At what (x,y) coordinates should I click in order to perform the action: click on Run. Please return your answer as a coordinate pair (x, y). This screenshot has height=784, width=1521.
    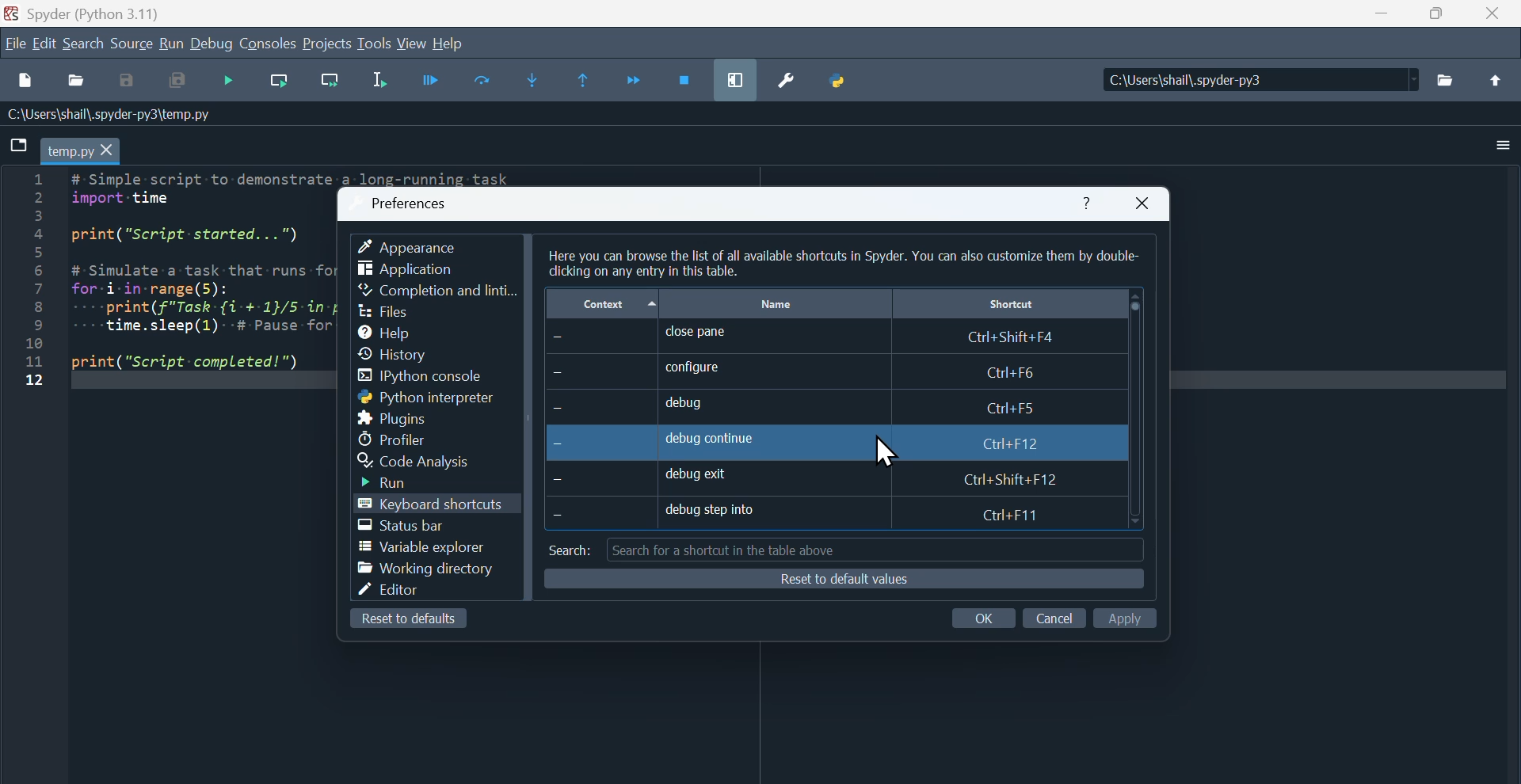
    Looking at the image, I should click on (400, 482).